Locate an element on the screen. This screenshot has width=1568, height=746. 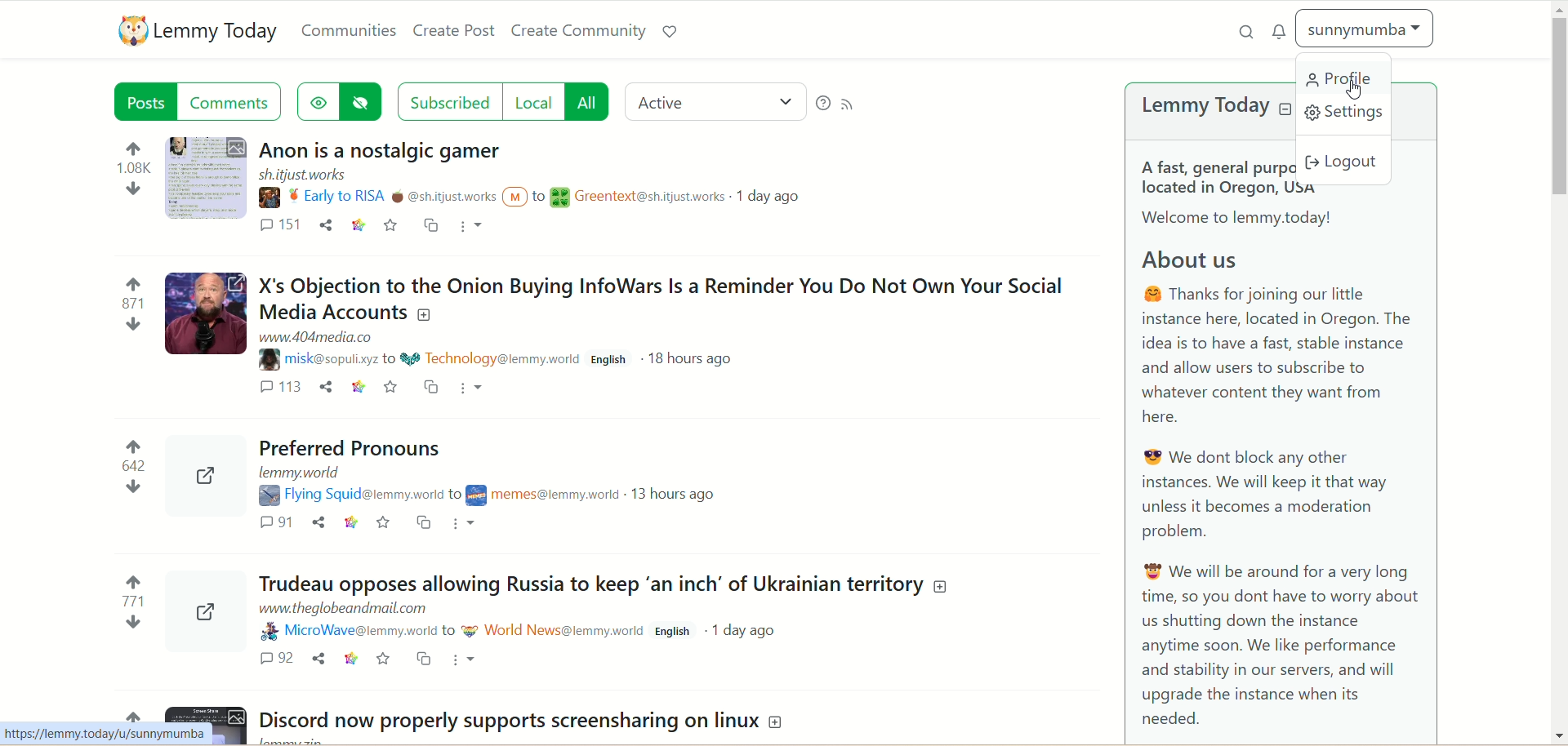
13 hours ago is located at coordinates (678, 495).